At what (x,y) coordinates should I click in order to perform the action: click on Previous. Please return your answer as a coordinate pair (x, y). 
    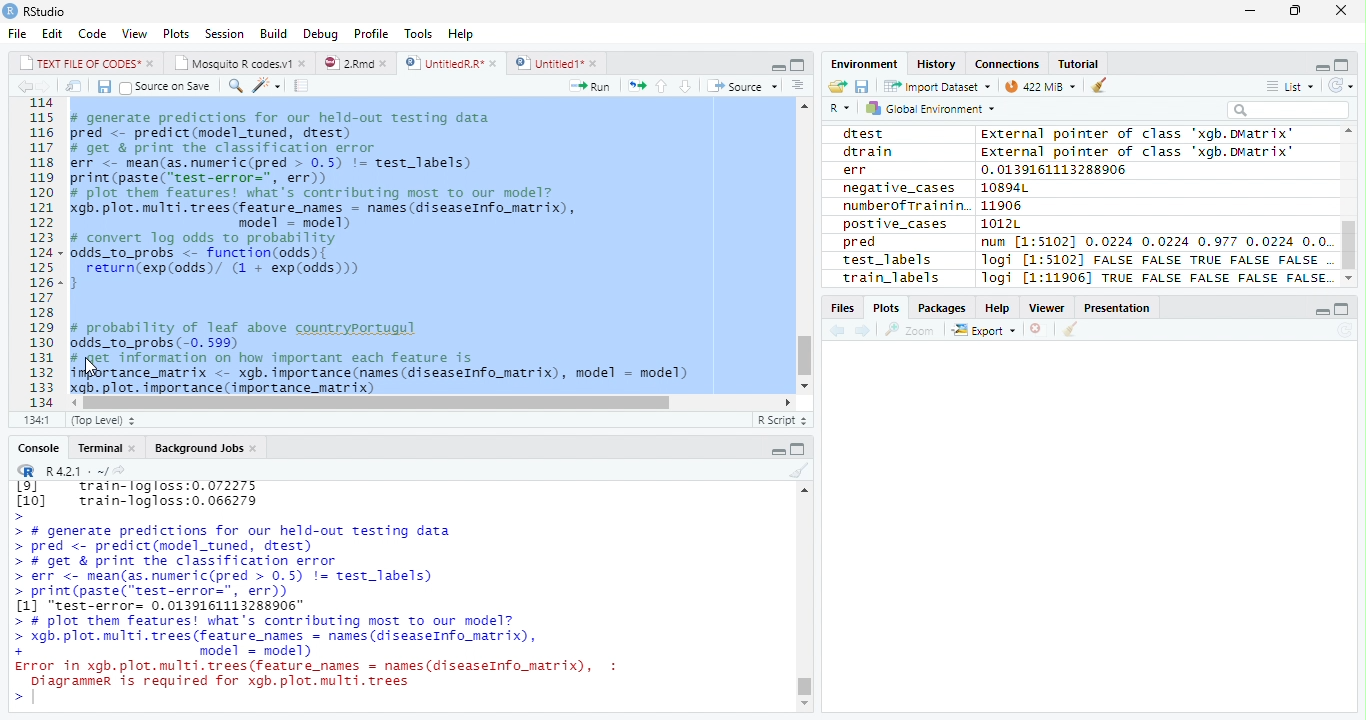
    Looking at the image, I should click on (835, 329).